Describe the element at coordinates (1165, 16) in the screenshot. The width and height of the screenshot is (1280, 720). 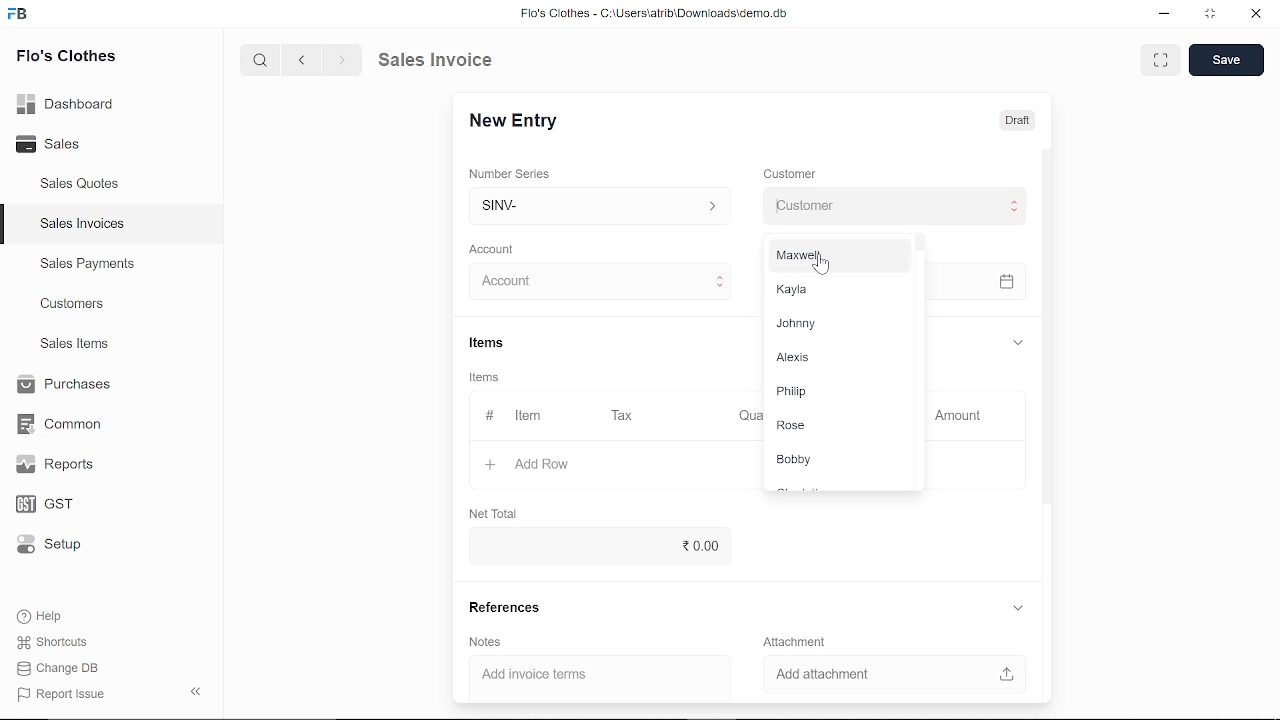
I see `minimize` at that location.